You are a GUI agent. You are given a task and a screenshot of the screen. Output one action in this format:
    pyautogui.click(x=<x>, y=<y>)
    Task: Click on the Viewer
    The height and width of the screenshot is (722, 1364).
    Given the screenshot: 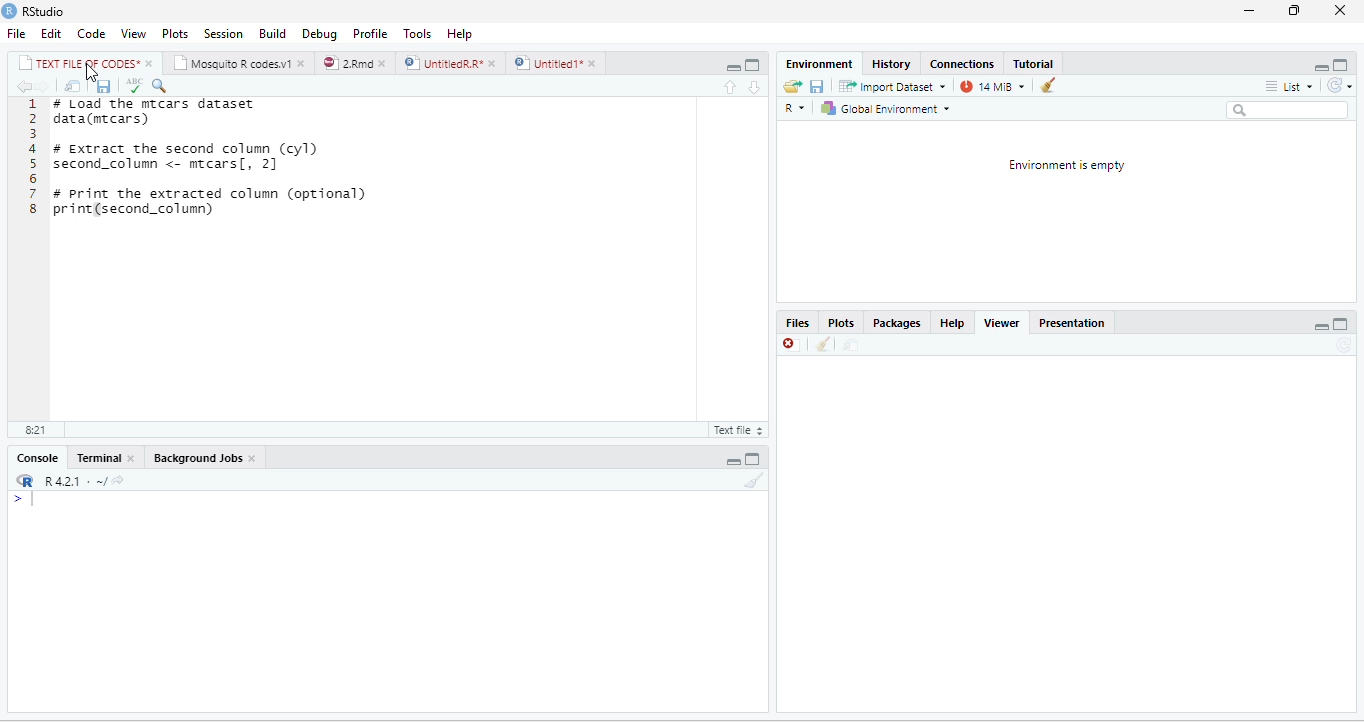 What is the action you would take?
    pyautogui.click(x=1007, y=323)
    